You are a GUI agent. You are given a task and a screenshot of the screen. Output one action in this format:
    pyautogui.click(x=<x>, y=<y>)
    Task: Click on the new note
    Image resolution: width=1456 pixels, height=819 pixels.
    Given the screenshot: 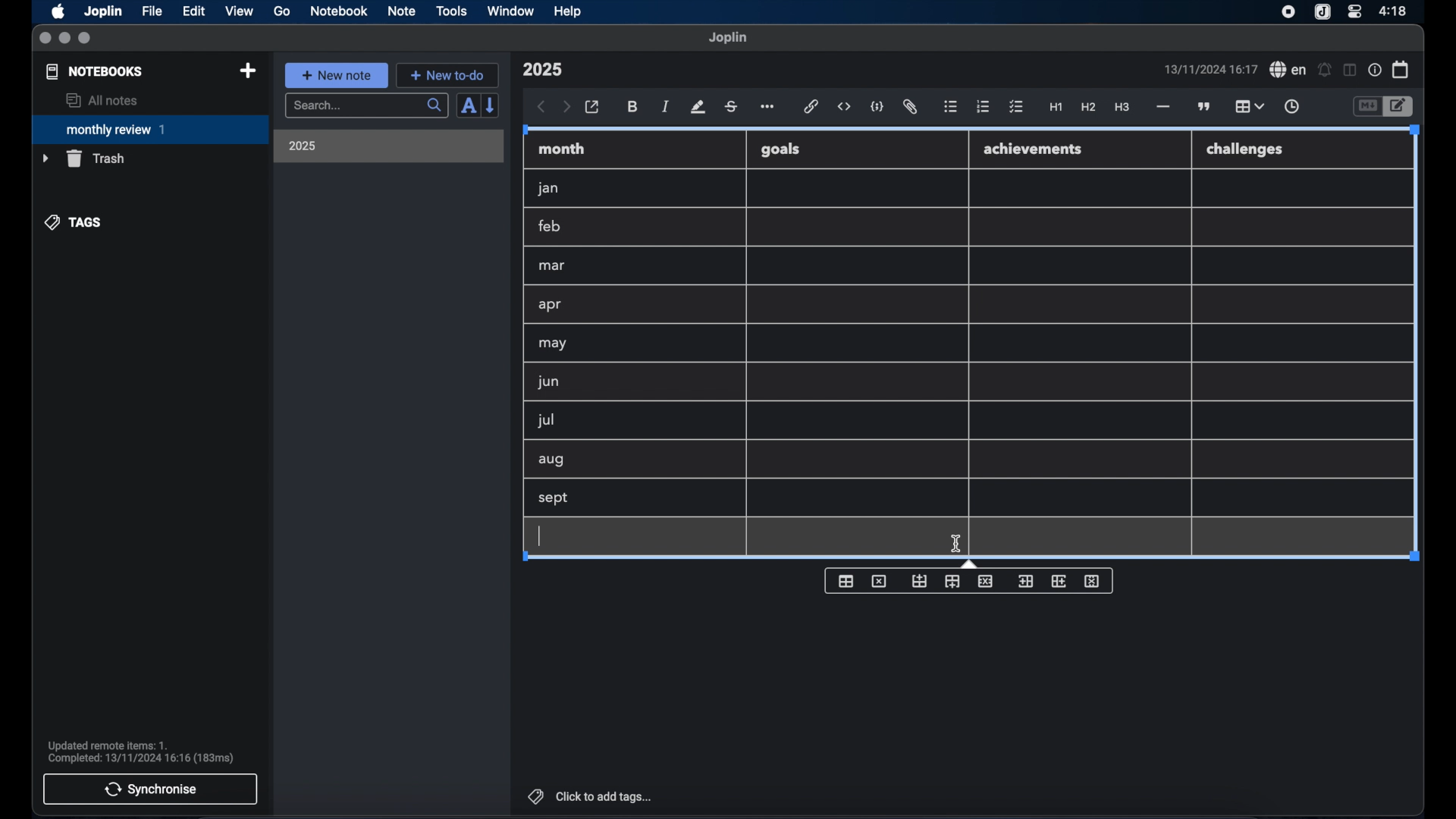 What is the action you would take?
    pyautogui.click(x=336, y=75)
    